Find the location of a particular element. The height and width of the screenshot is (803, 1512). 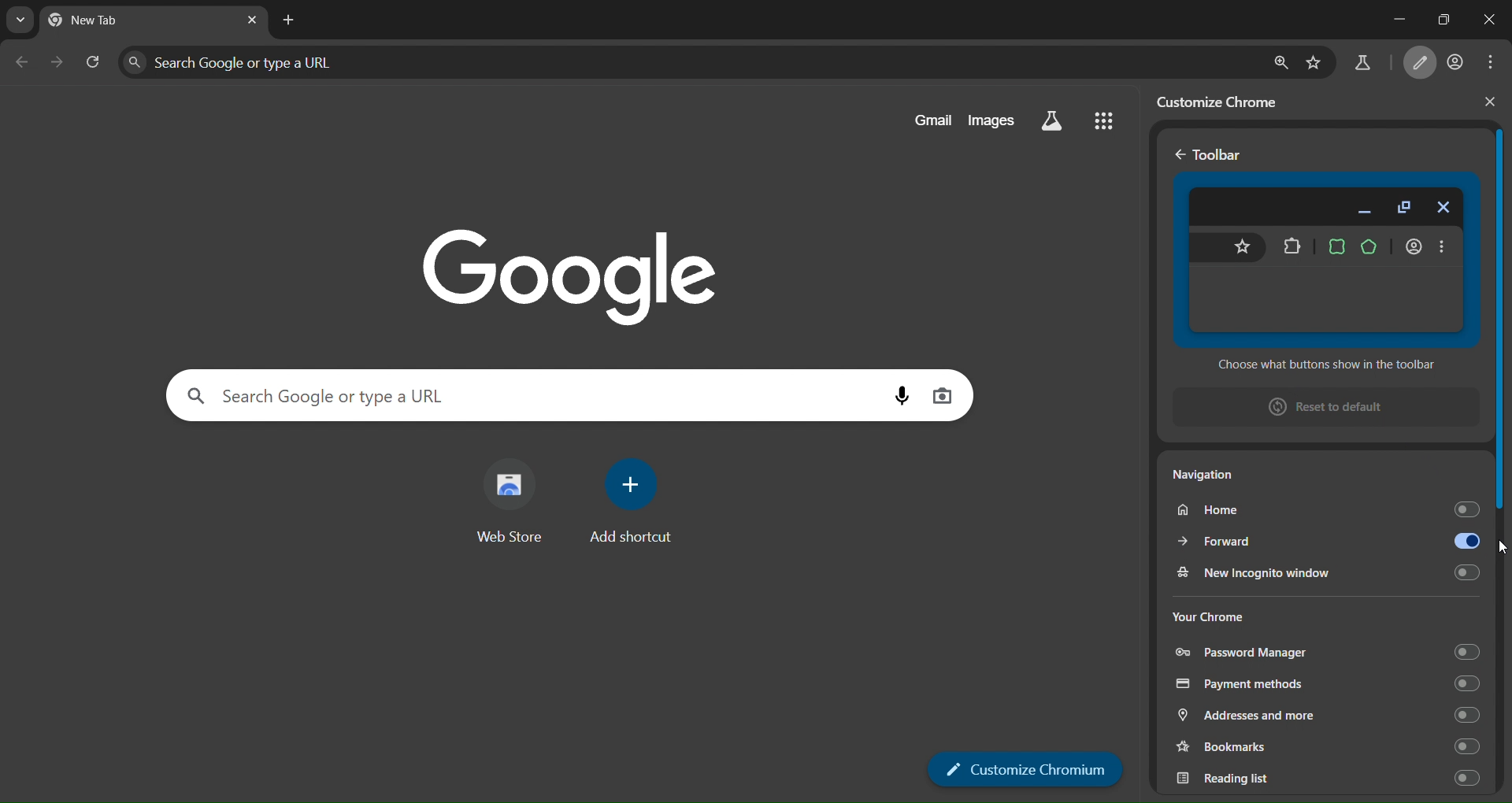

minimize is located at coordinates (1382, 20).